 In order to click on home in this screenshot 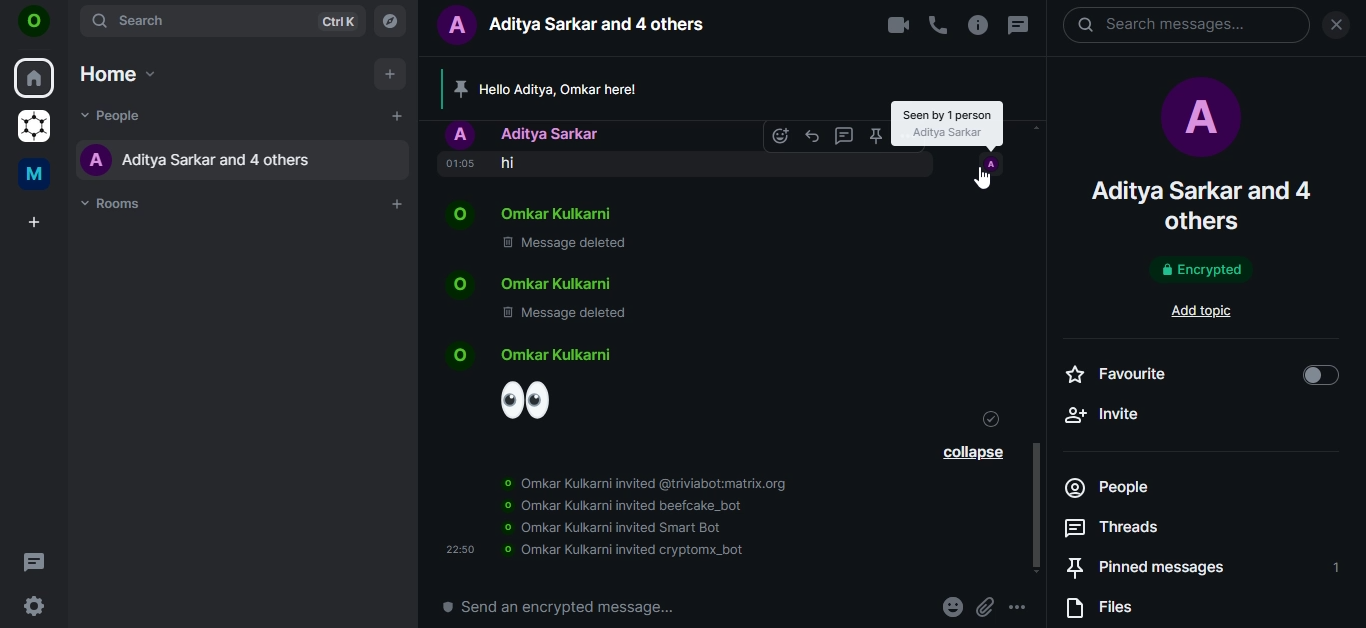, I will do `click(35, 76)`.